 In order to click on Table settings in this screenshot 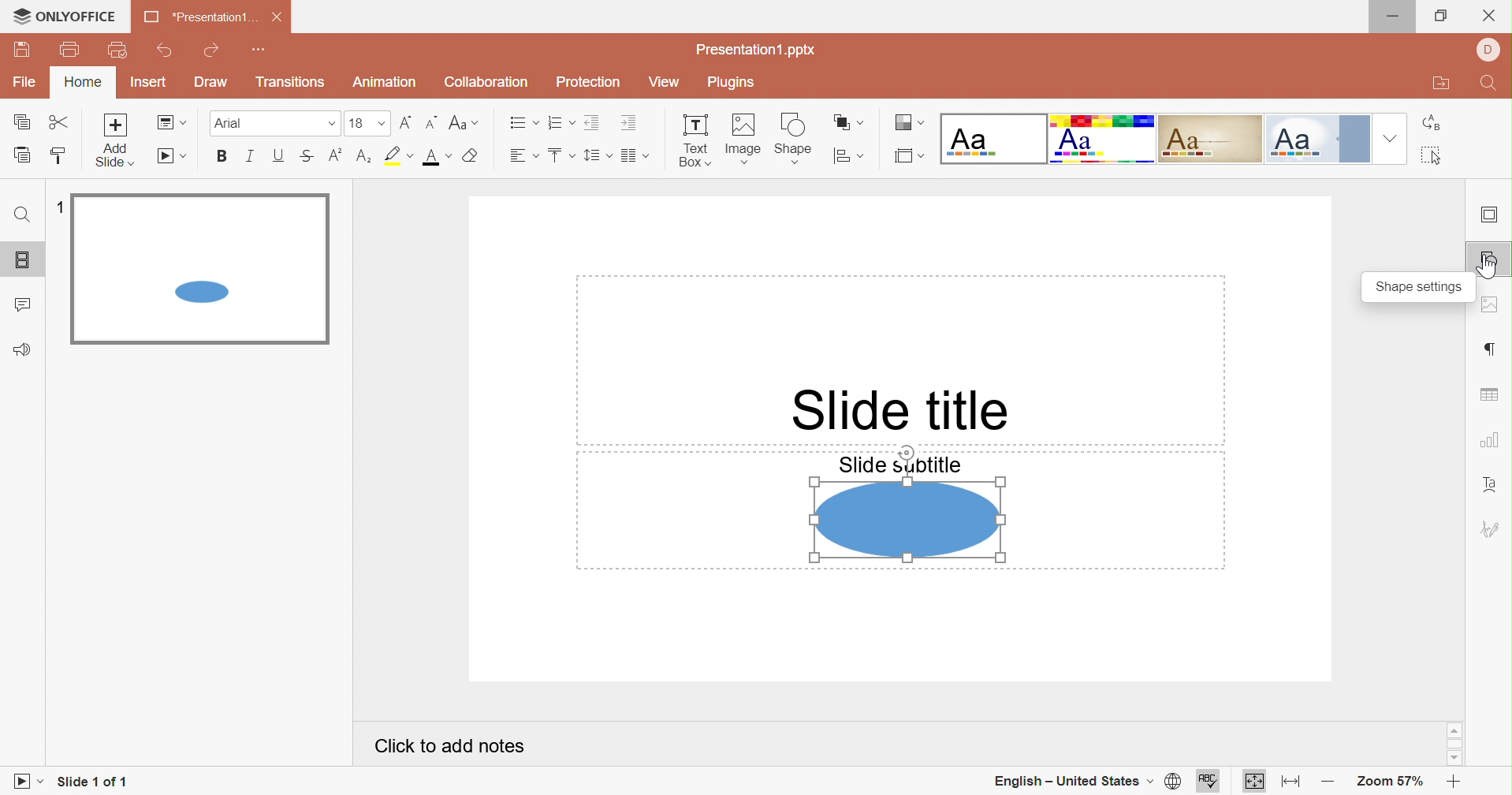, I will do `click(1492, 396)`.